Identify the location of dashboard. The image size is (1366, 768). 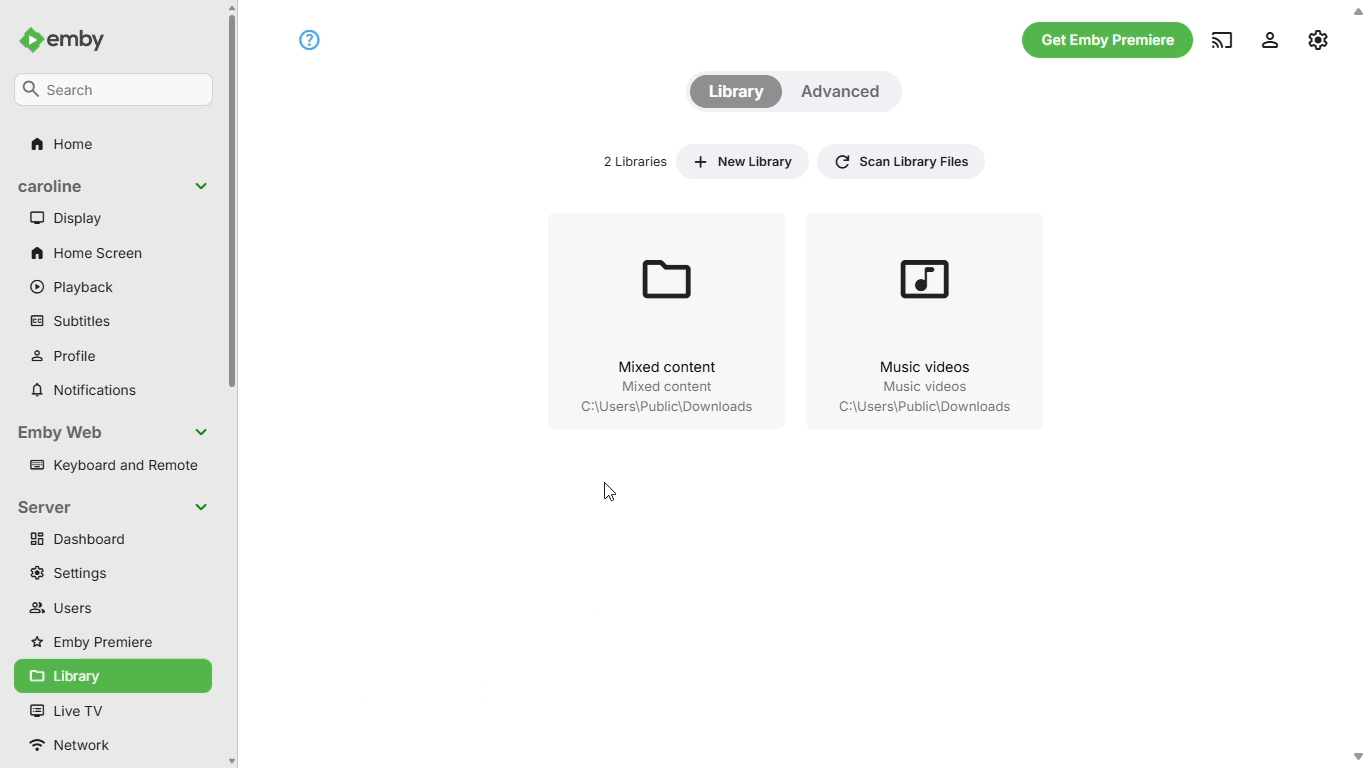
(112, 538).